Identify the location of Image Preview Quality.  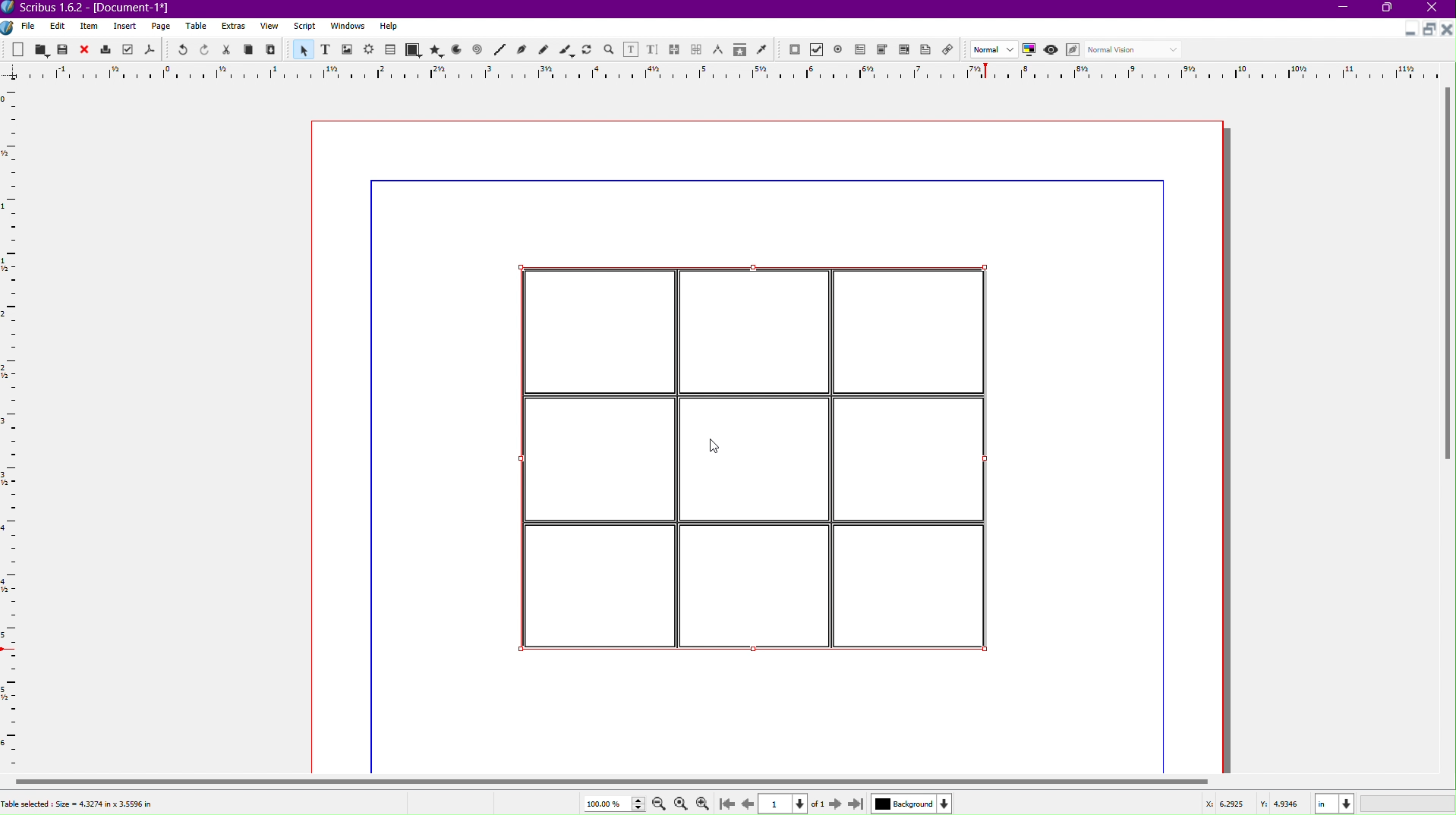
(994, 49).